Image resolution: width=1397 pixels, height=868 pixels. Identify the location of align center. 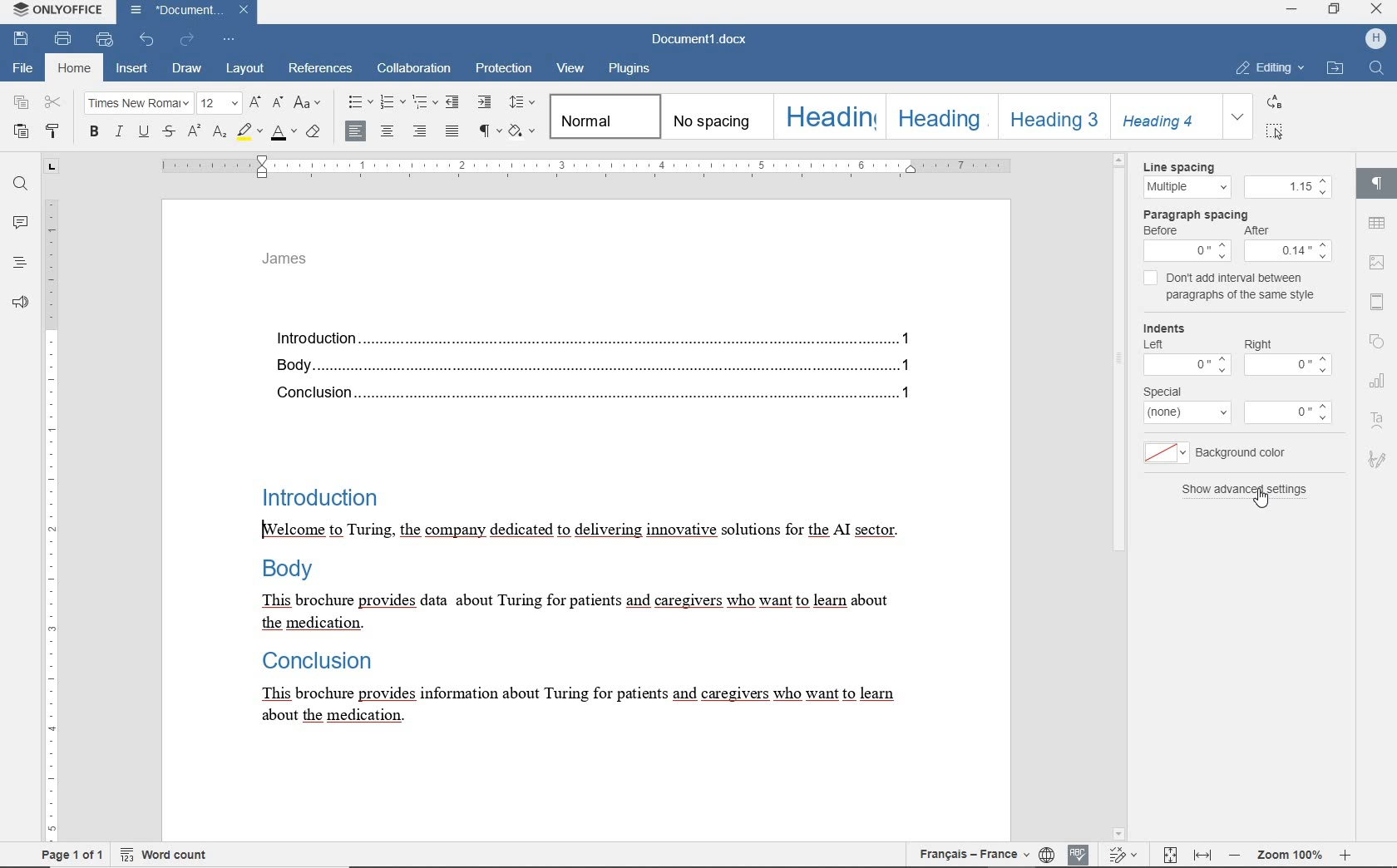
(390, 131).